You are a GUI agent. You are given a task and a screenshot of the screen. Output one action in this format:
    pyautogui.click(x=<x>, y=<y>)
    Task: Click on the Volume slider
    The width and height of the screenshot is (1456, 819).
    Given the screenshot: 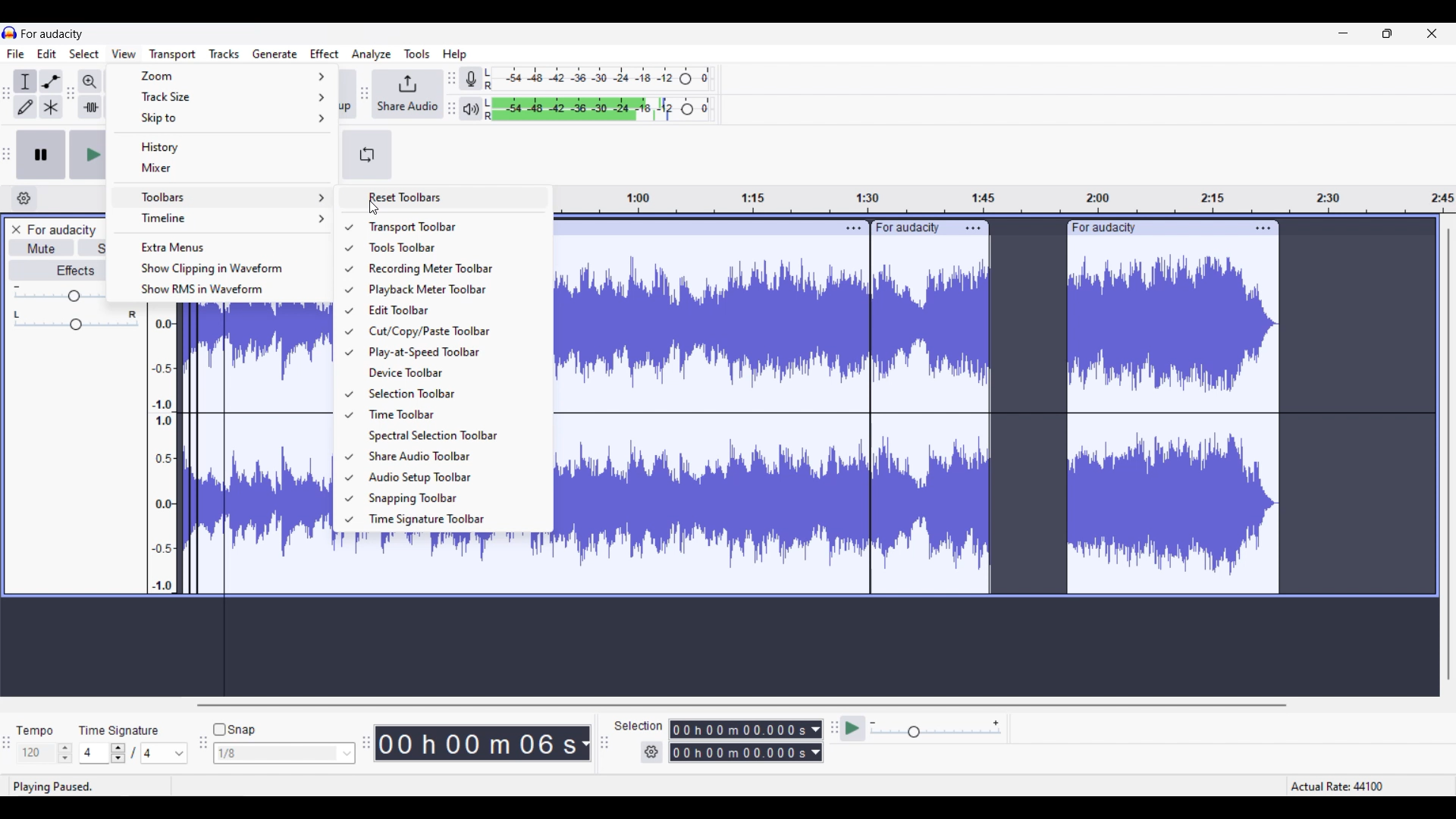 What is the action you would take?
    pyautogui.click(x=58, y=293)
    